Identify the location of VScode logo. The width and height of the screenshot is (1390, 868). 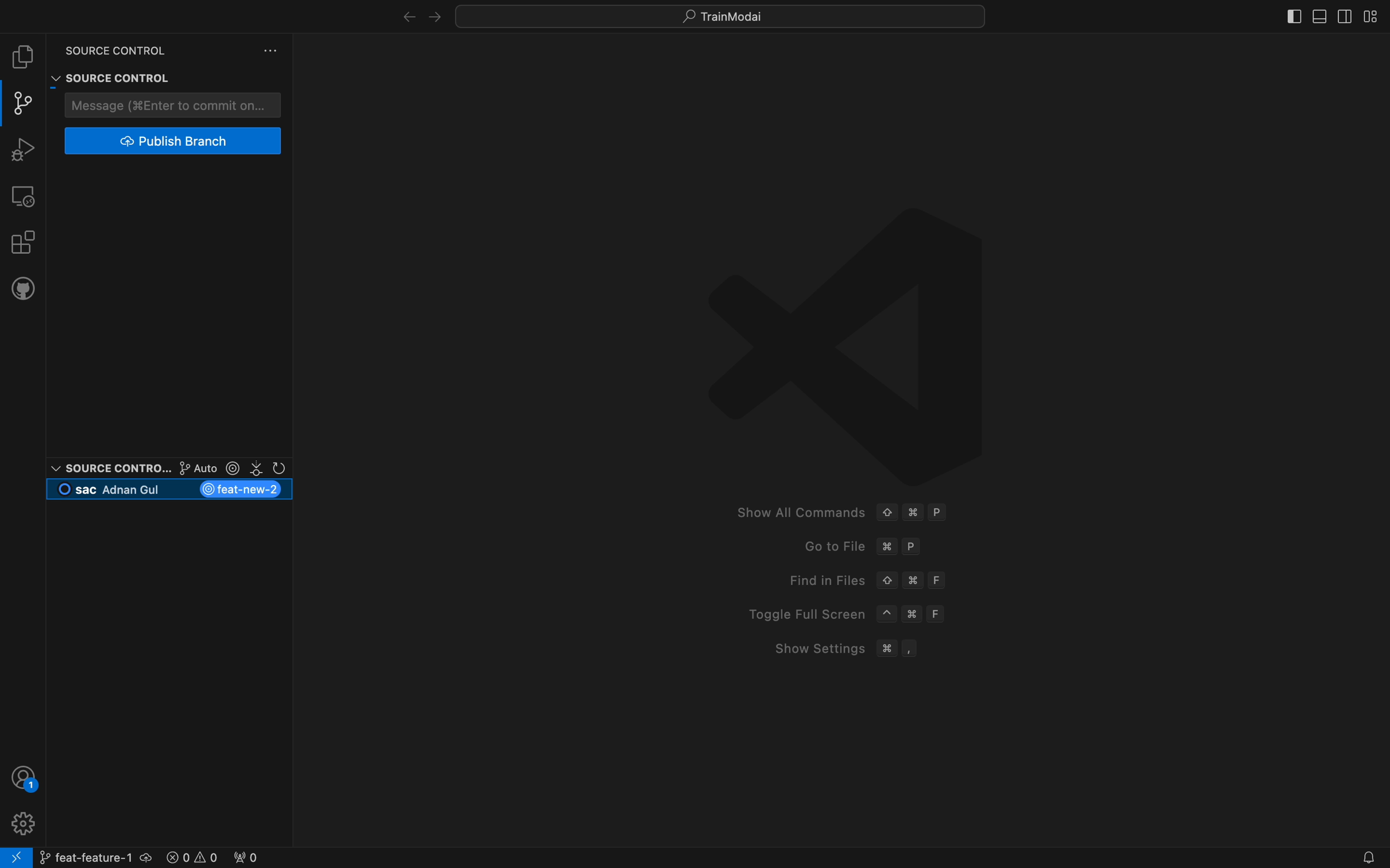
(841, 343).